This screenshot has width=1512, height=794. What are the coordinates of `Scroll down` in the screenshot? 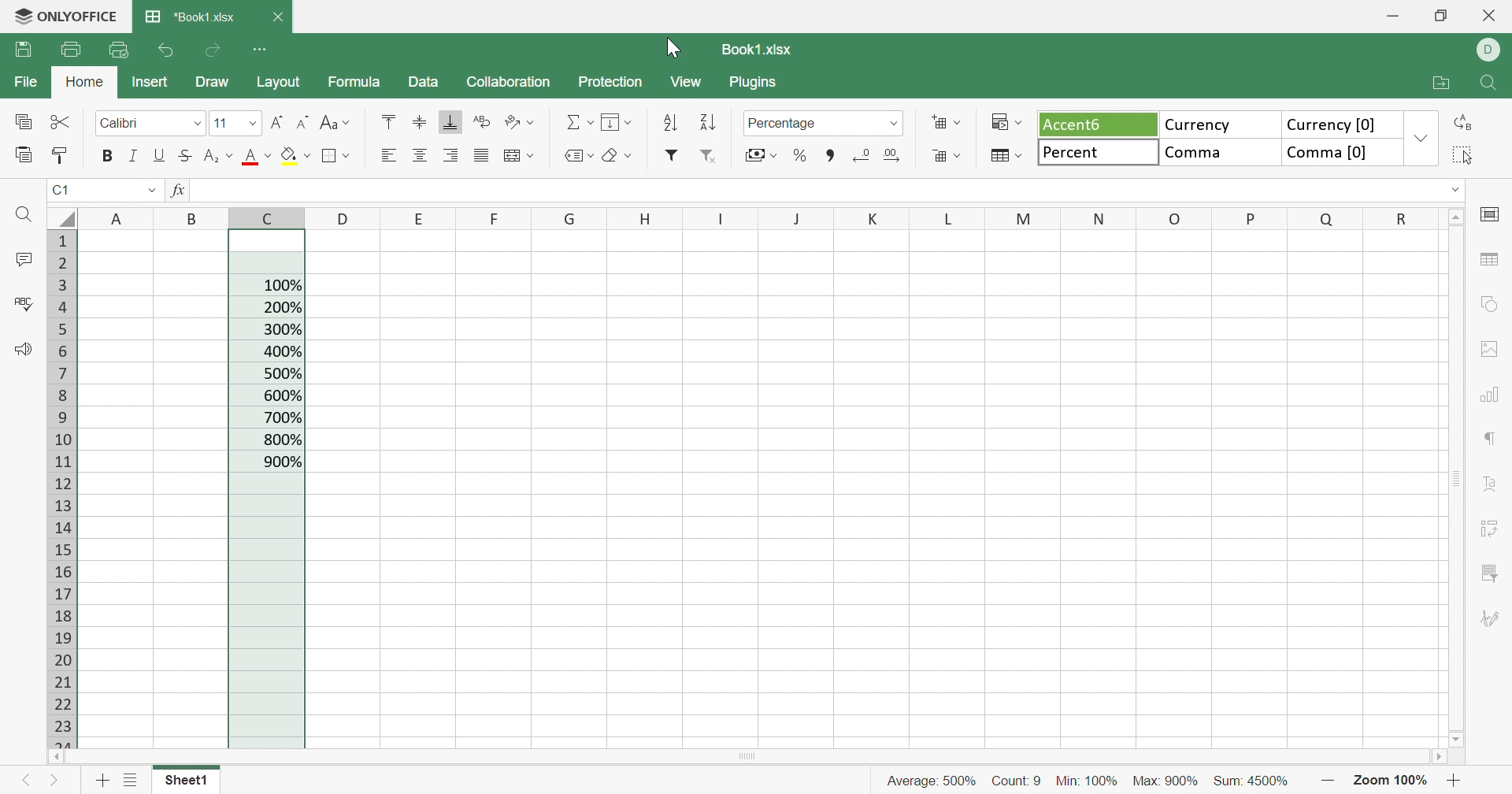 It's located at (1456, 738).